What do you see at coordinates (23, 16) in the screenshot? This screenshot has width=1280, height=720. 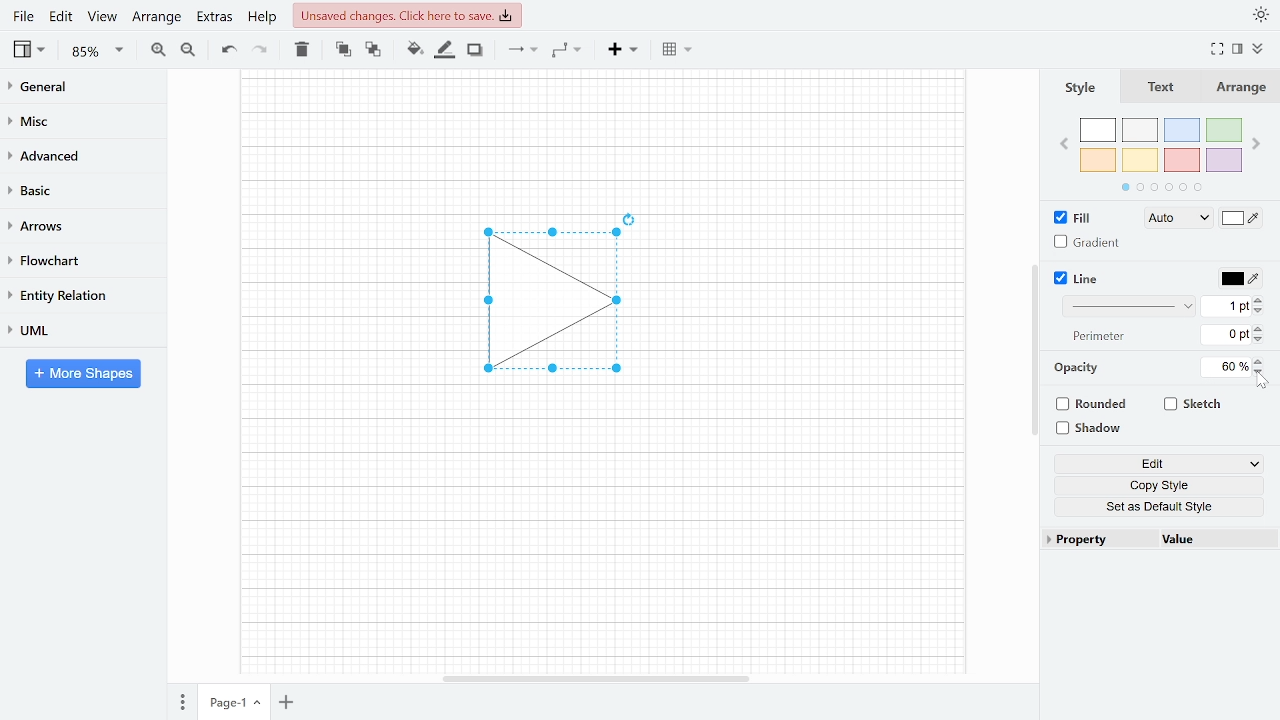 I see `File` at bounding box center [23, 16].